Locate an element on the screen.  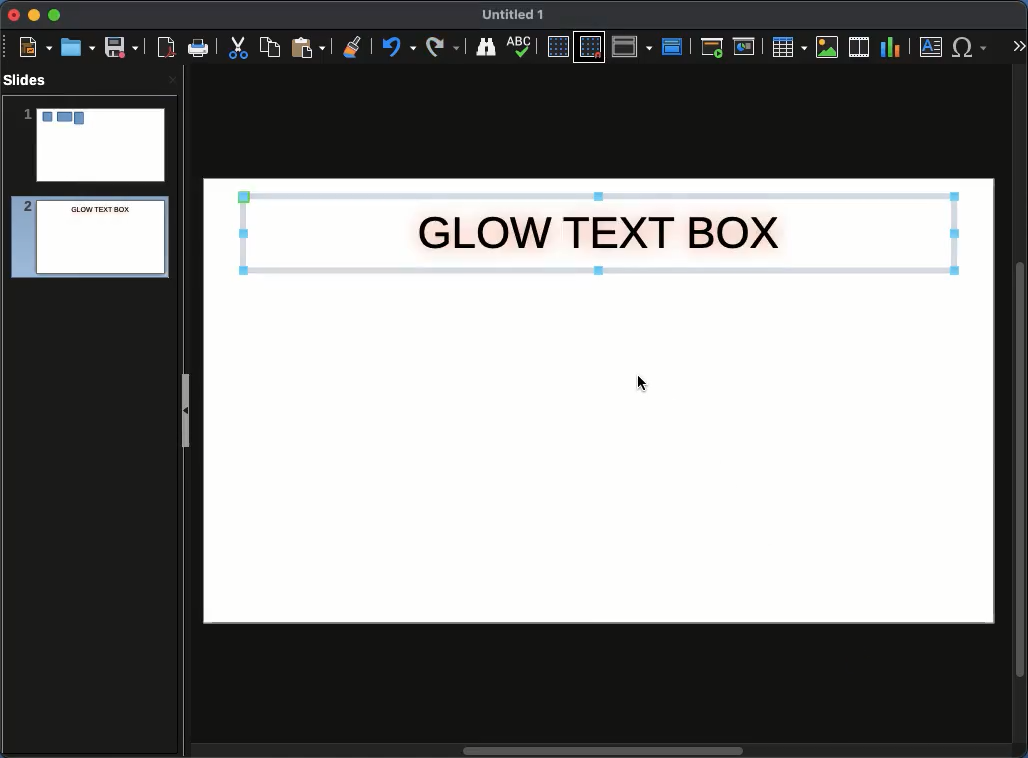
Display views is located at coordinates (635, 45).